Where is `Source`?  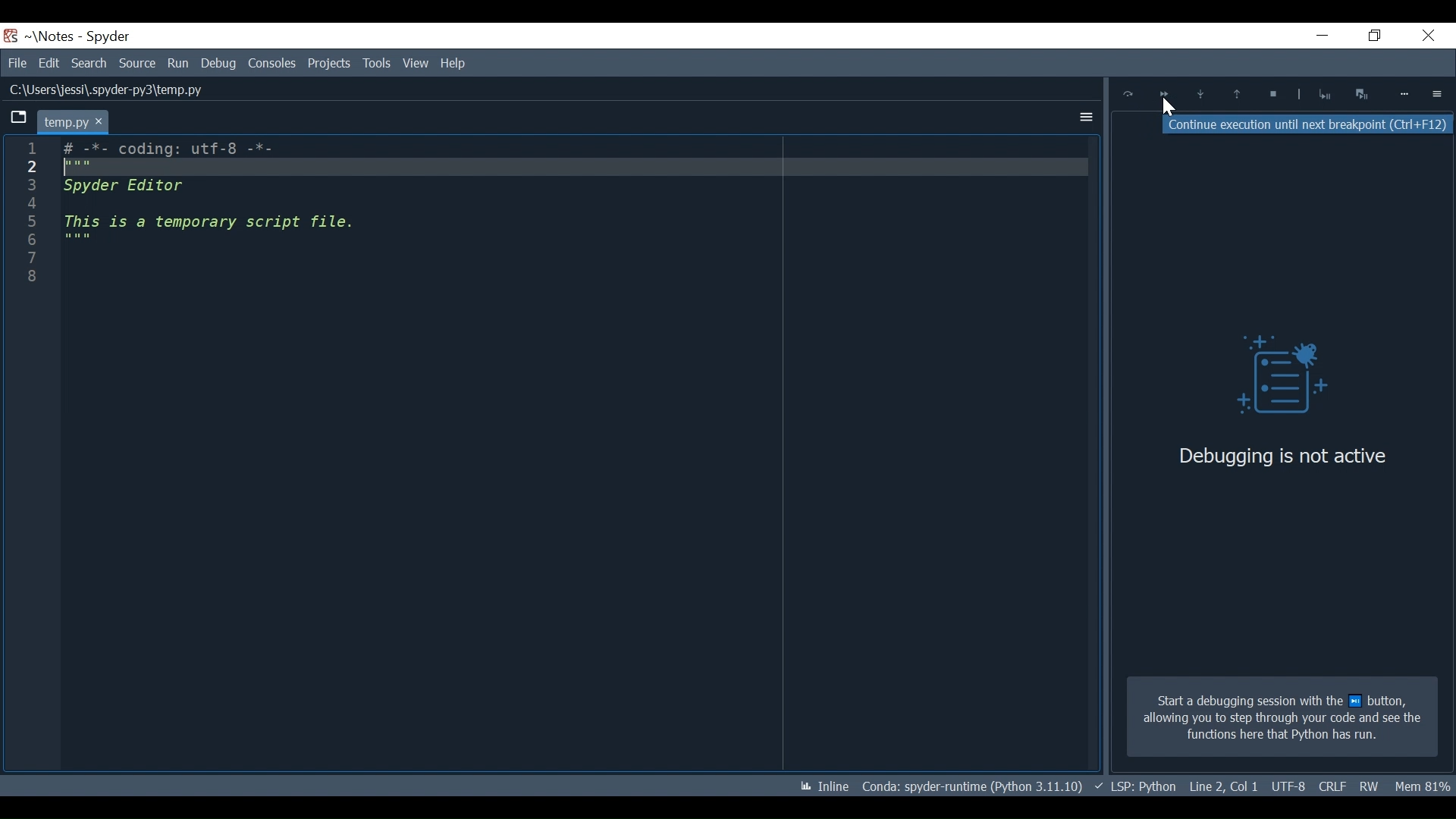 Source is located at coordinates (138, 64).